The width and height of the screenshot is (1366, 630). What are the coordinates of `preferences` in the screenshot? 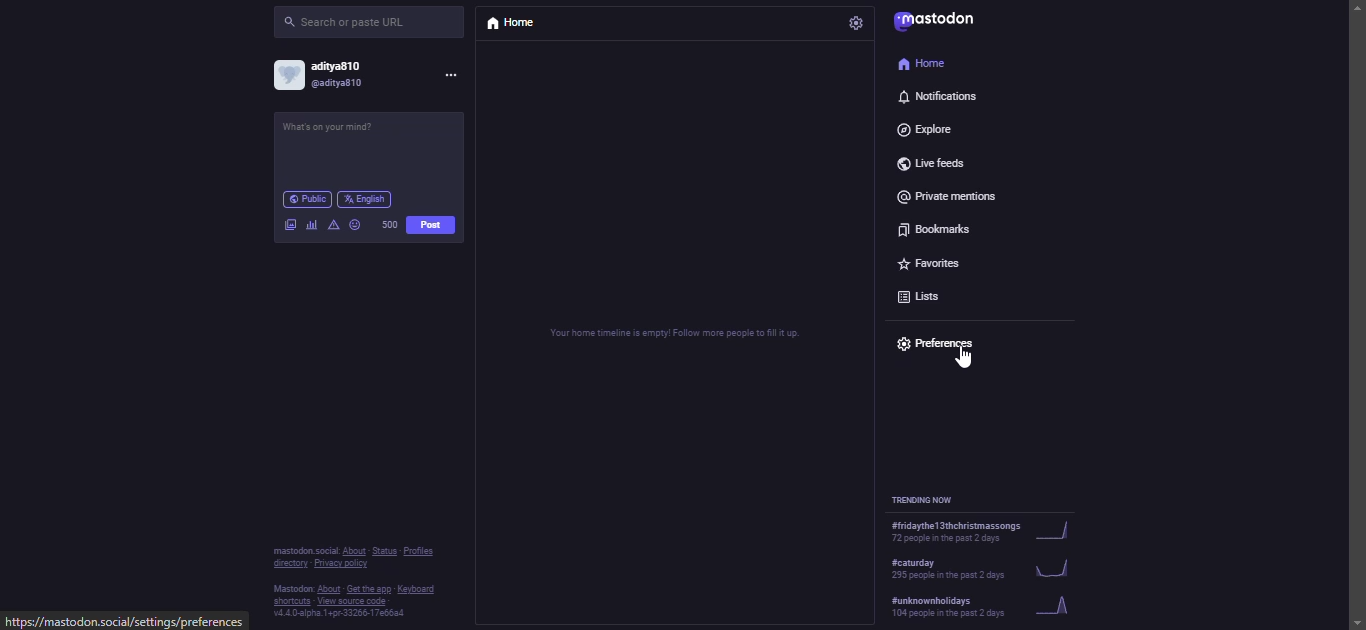 It's located at (938, 344).